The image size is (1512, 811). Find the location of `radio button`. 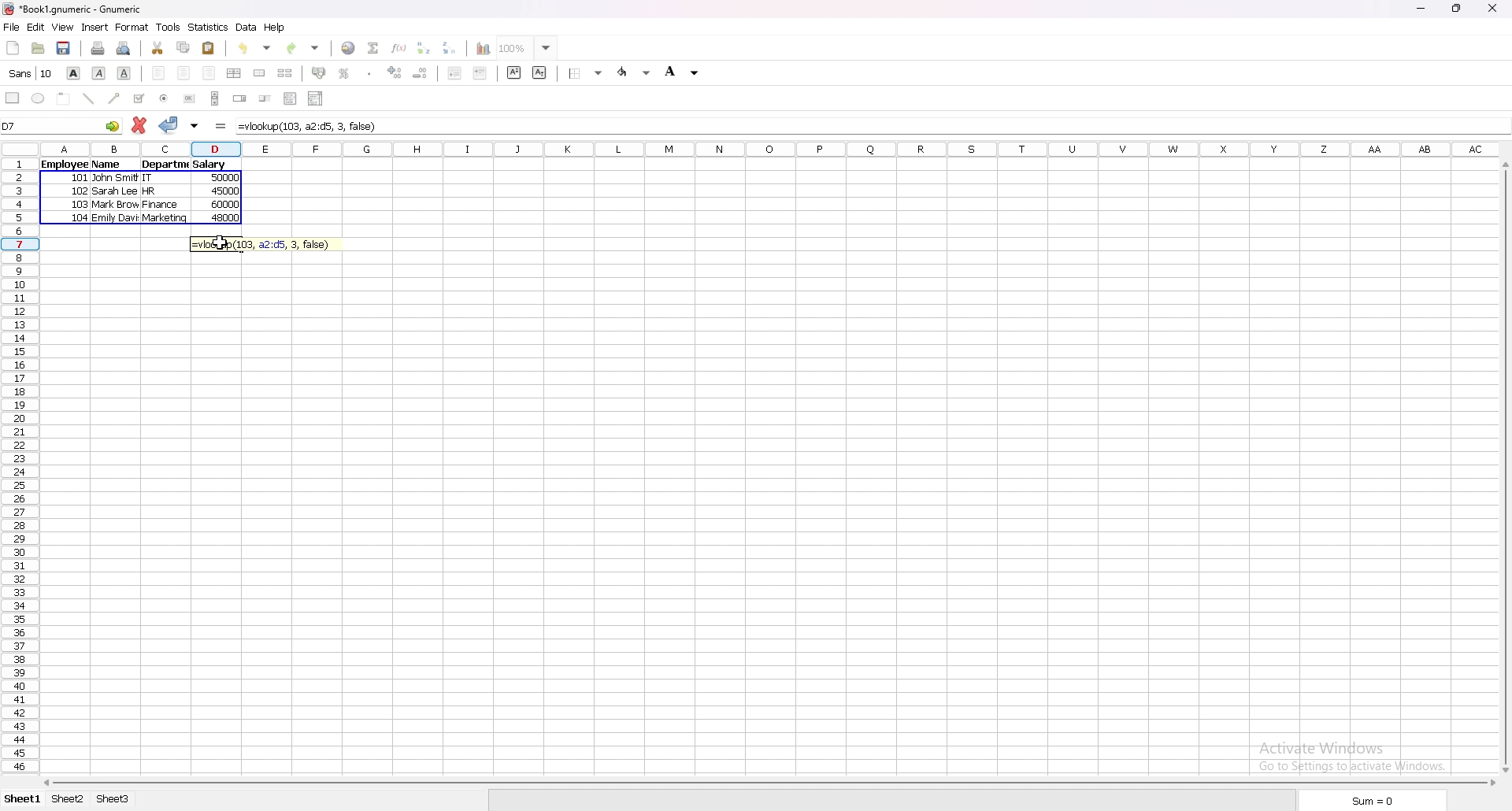

radio button is located at coordinates (164, 98).